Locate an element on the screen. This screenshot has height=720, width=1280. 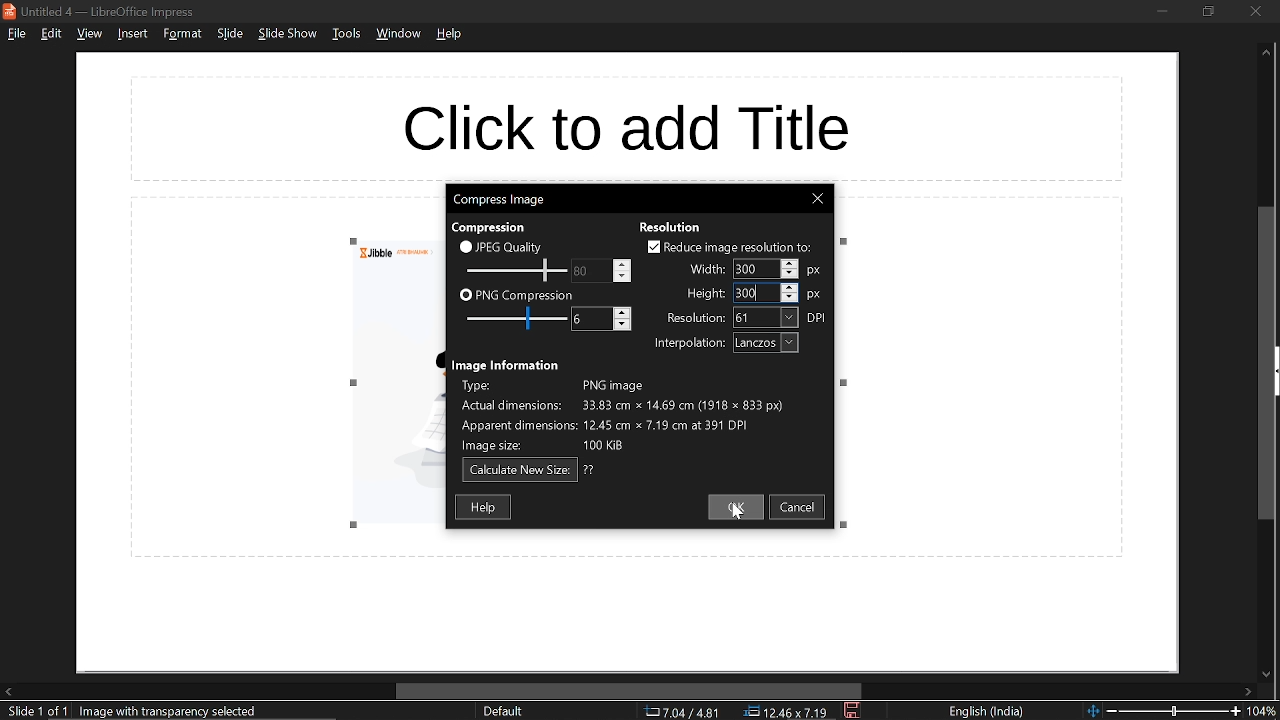
current window is located at coordinates (500, 200).